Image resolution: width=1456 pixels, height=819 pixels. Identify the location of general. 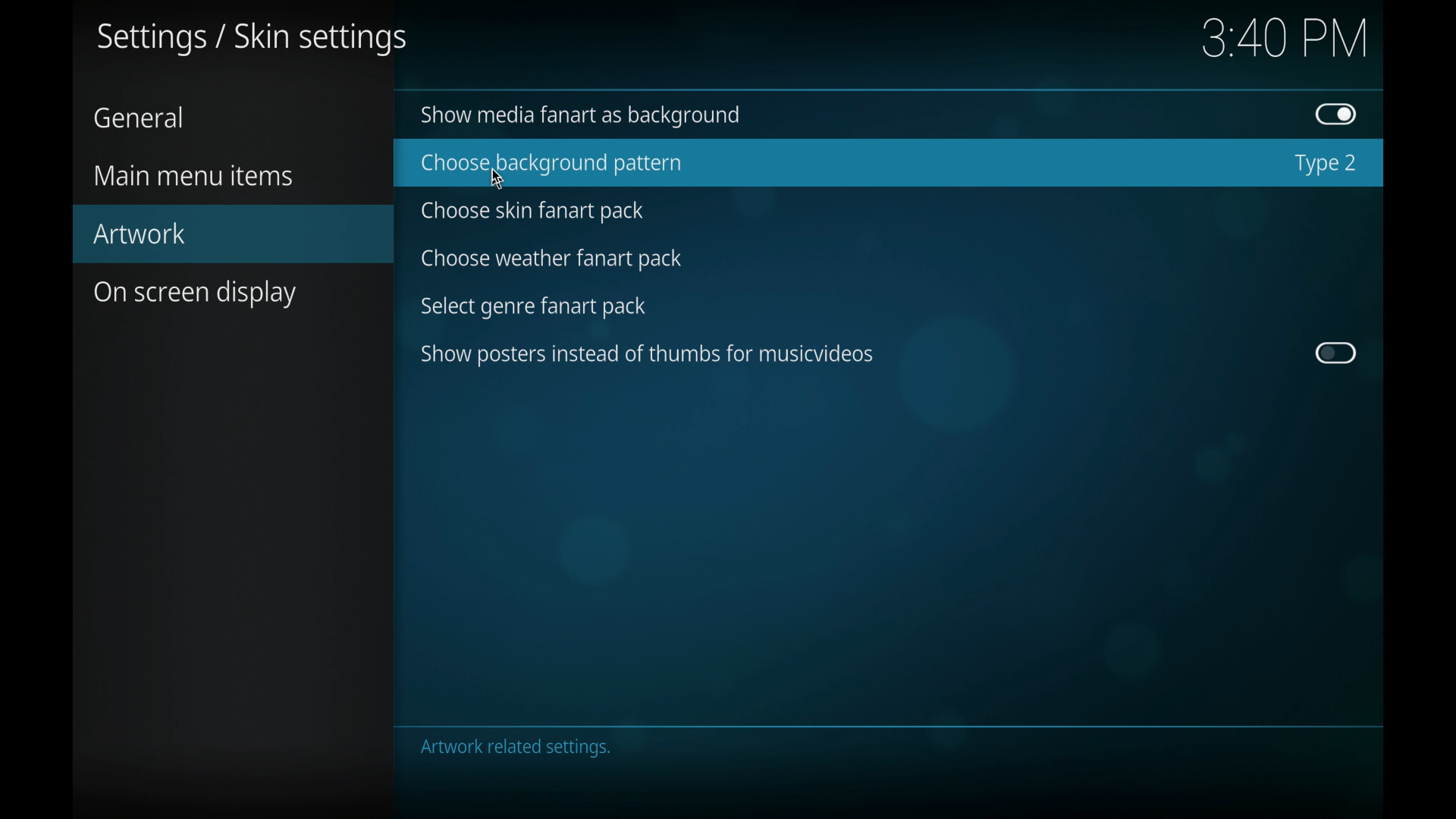
(138, 117).